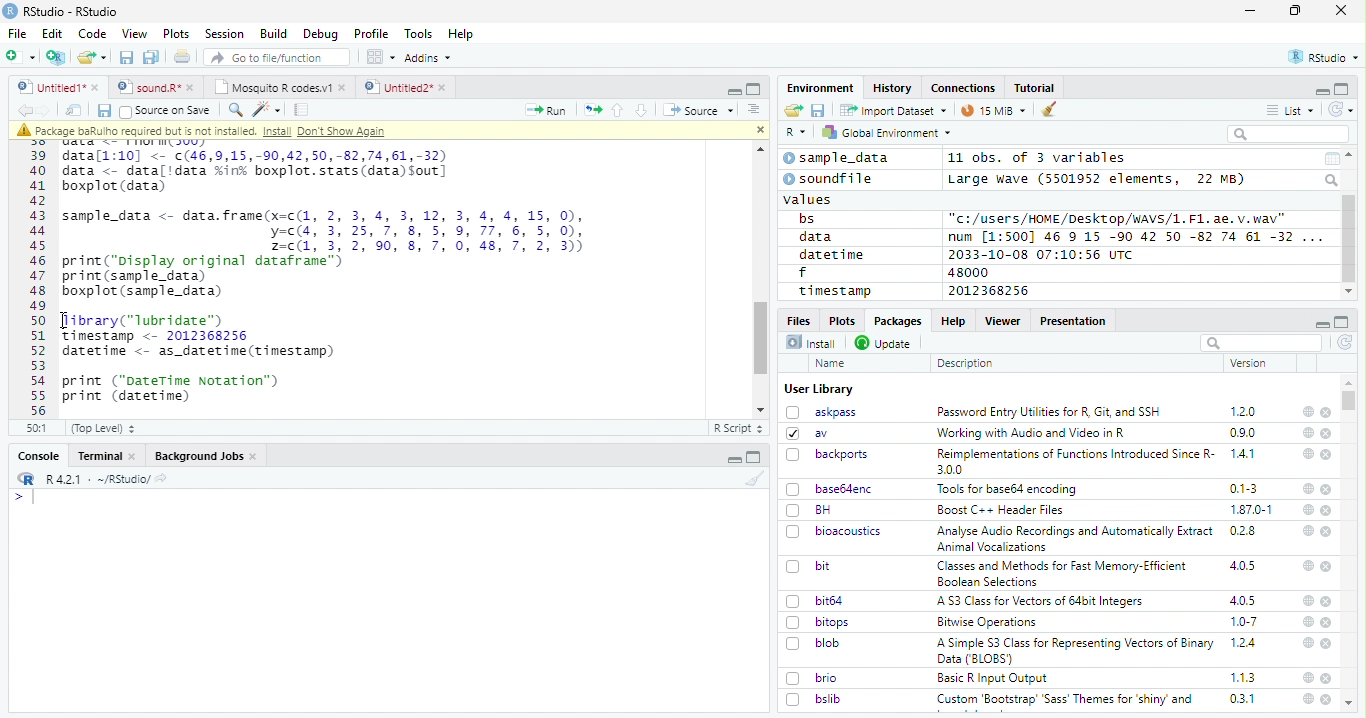 Image resolution: width=1366 pixels, height=718 pixels. Describe the element at coordinates (164, 110) in the screenshot. I see `Source on Save` at that location.